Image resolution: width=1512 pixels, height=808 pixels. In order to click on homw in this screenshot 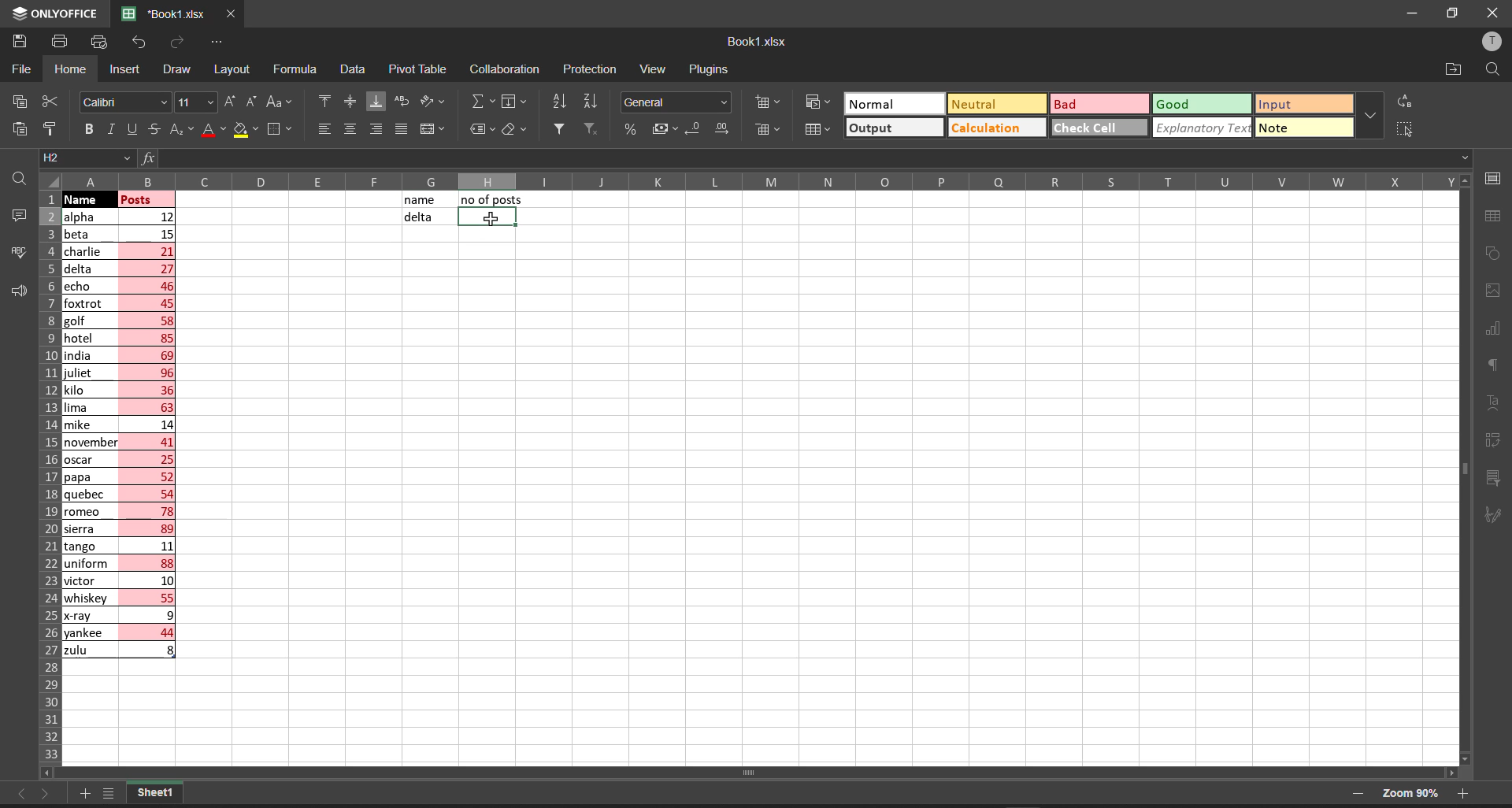, I will do `click(69, 69)`.